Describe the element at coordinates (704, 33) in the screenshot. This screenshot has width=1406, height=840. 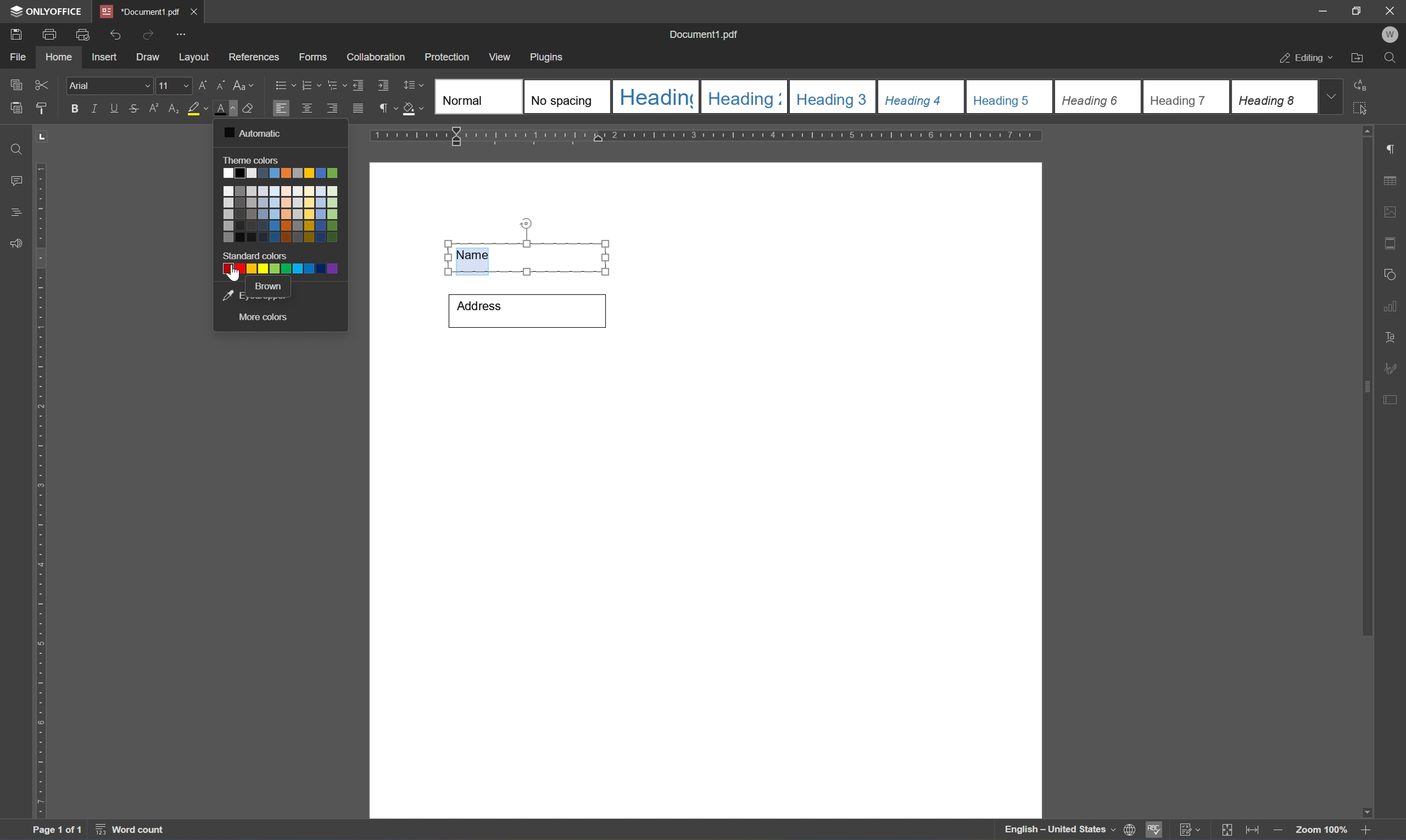
I see `document1.pdf` at that location.